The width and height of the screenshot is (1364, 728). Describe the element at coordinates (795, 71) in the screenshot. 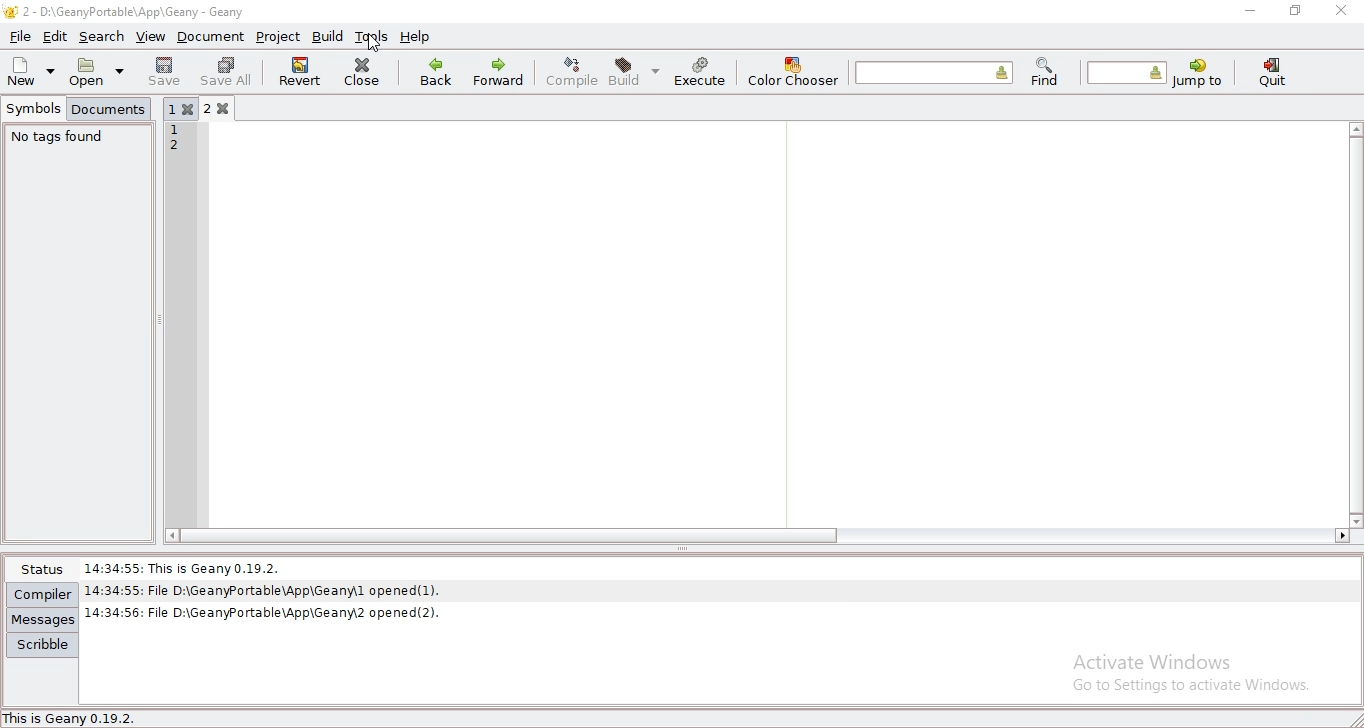

I see `color chooser` at that location.